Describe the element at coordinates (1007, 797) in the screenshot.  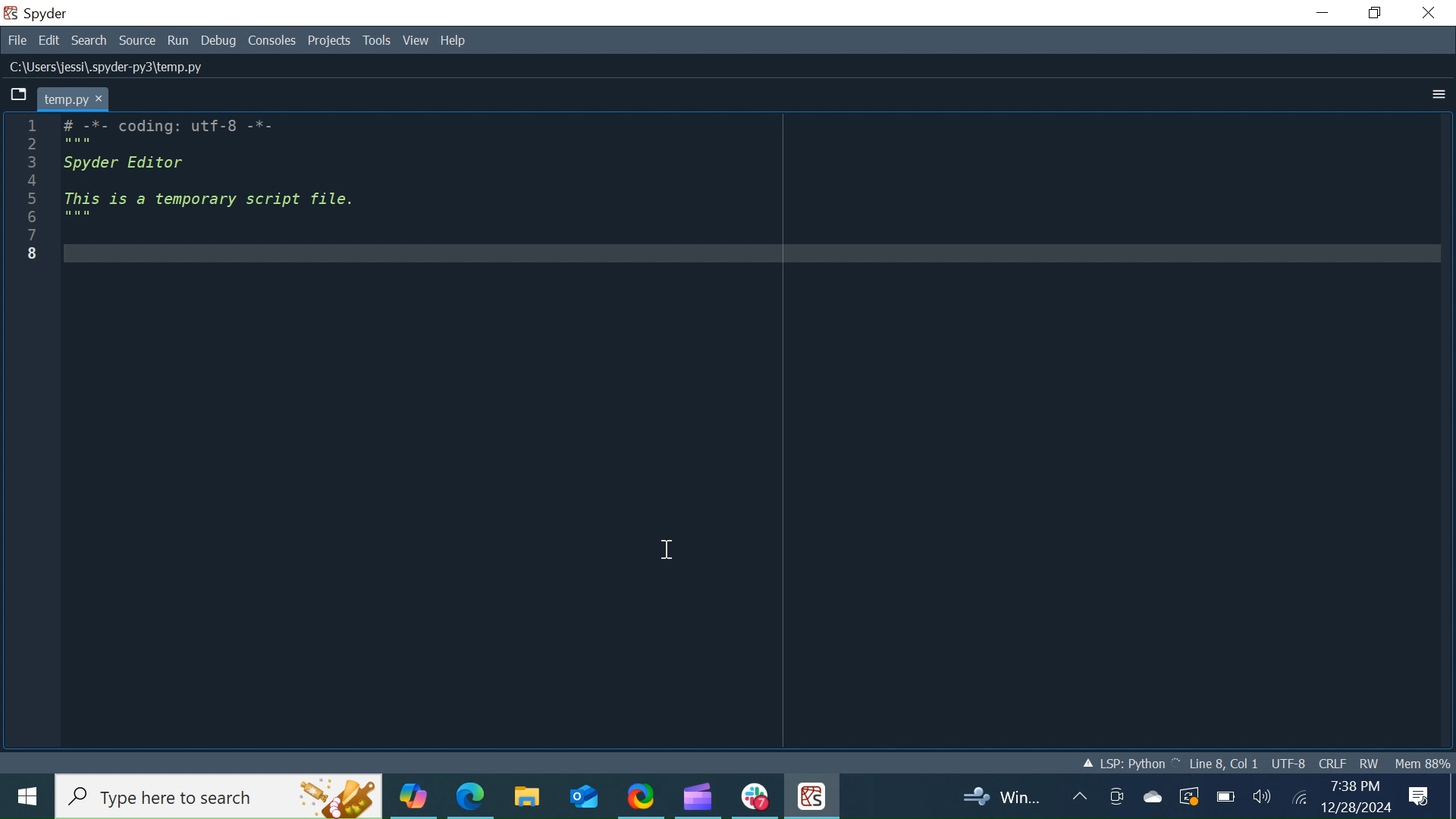
I see `Updates` at that location.